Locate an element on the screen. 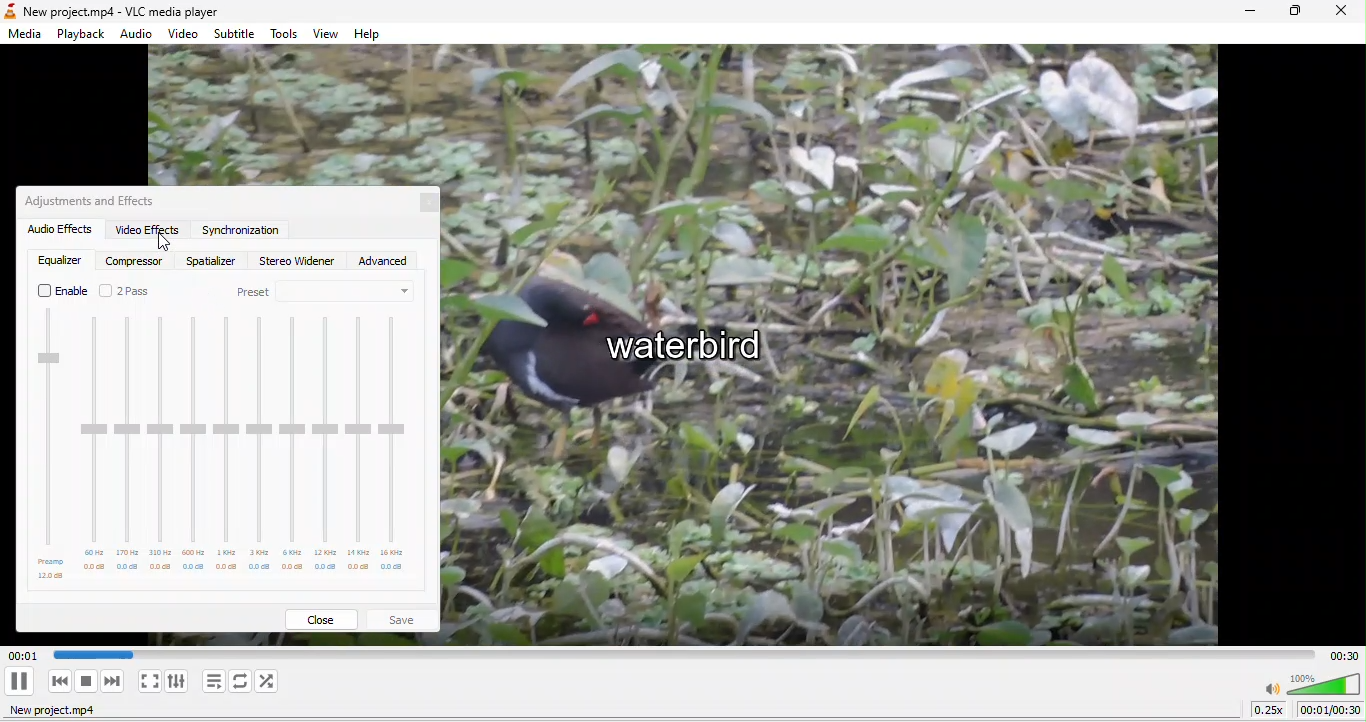 The width and height of the screenshot is (1366, 722). preamo bar is located at coordinates (51, 445).